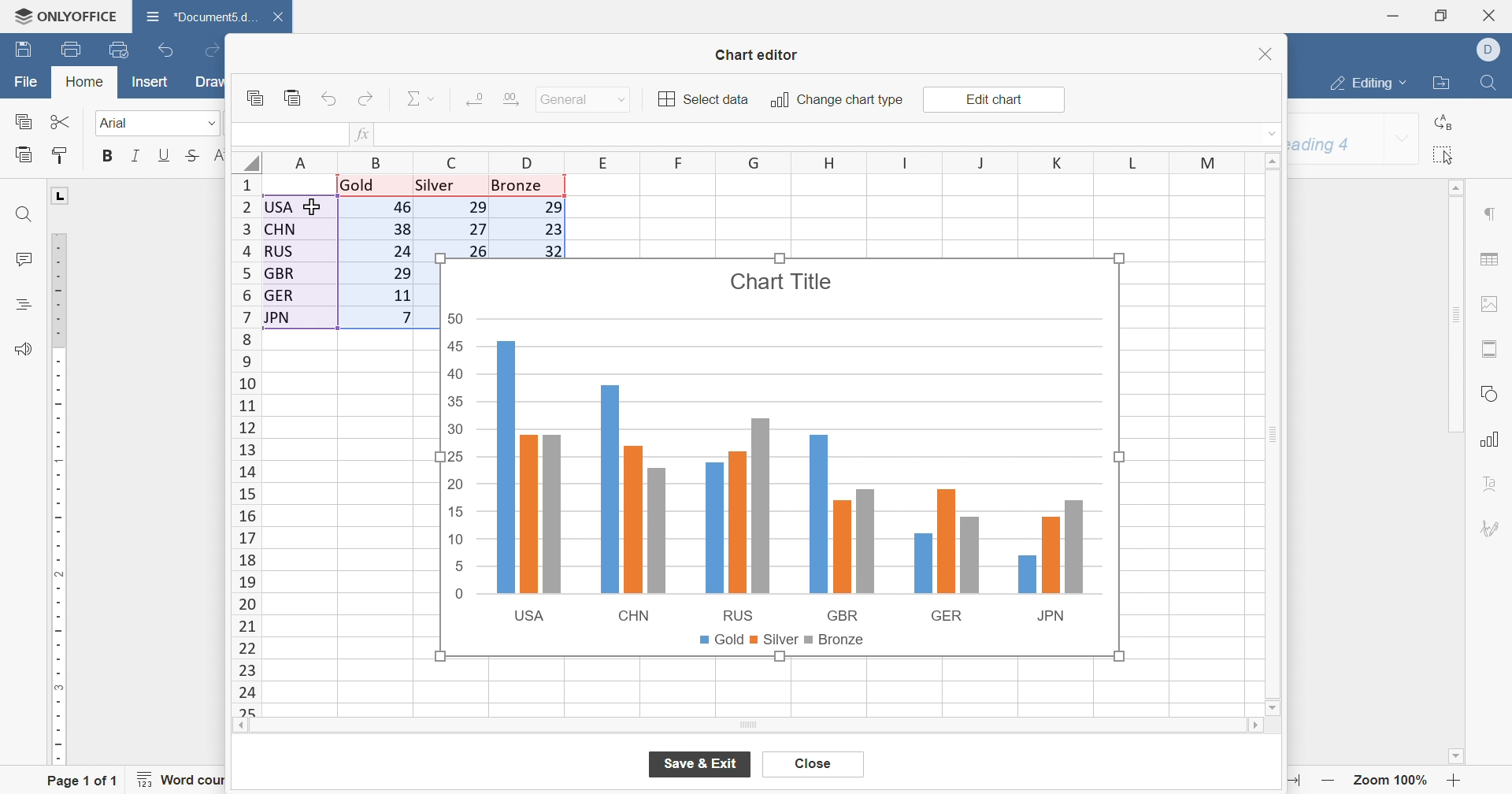 Image resolution: width=1512 pixels, height=794 pixels. I want to click on redo, so click(209, 49).